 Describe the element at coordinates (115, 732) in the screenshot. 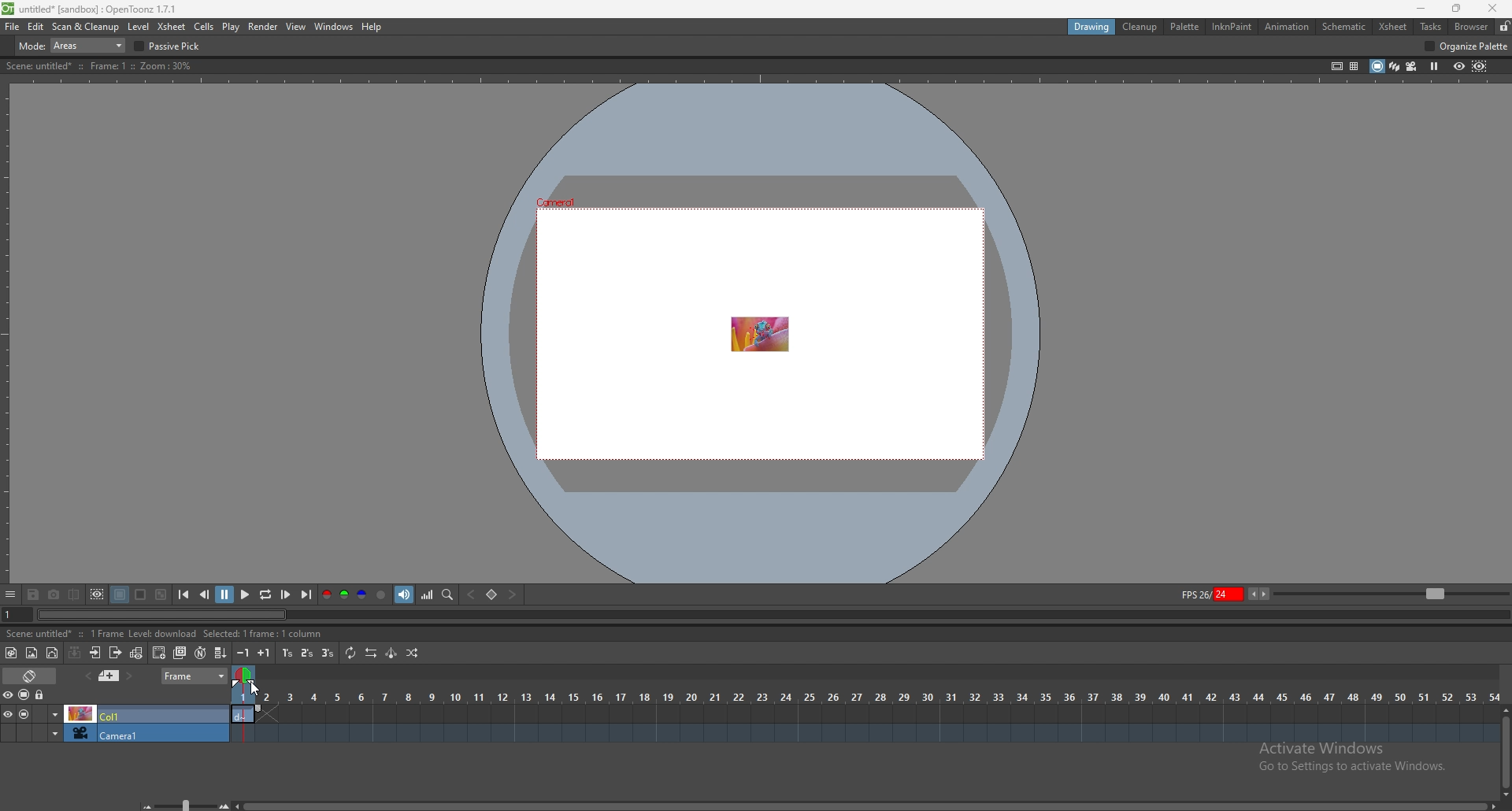

I see `camera` at that location.